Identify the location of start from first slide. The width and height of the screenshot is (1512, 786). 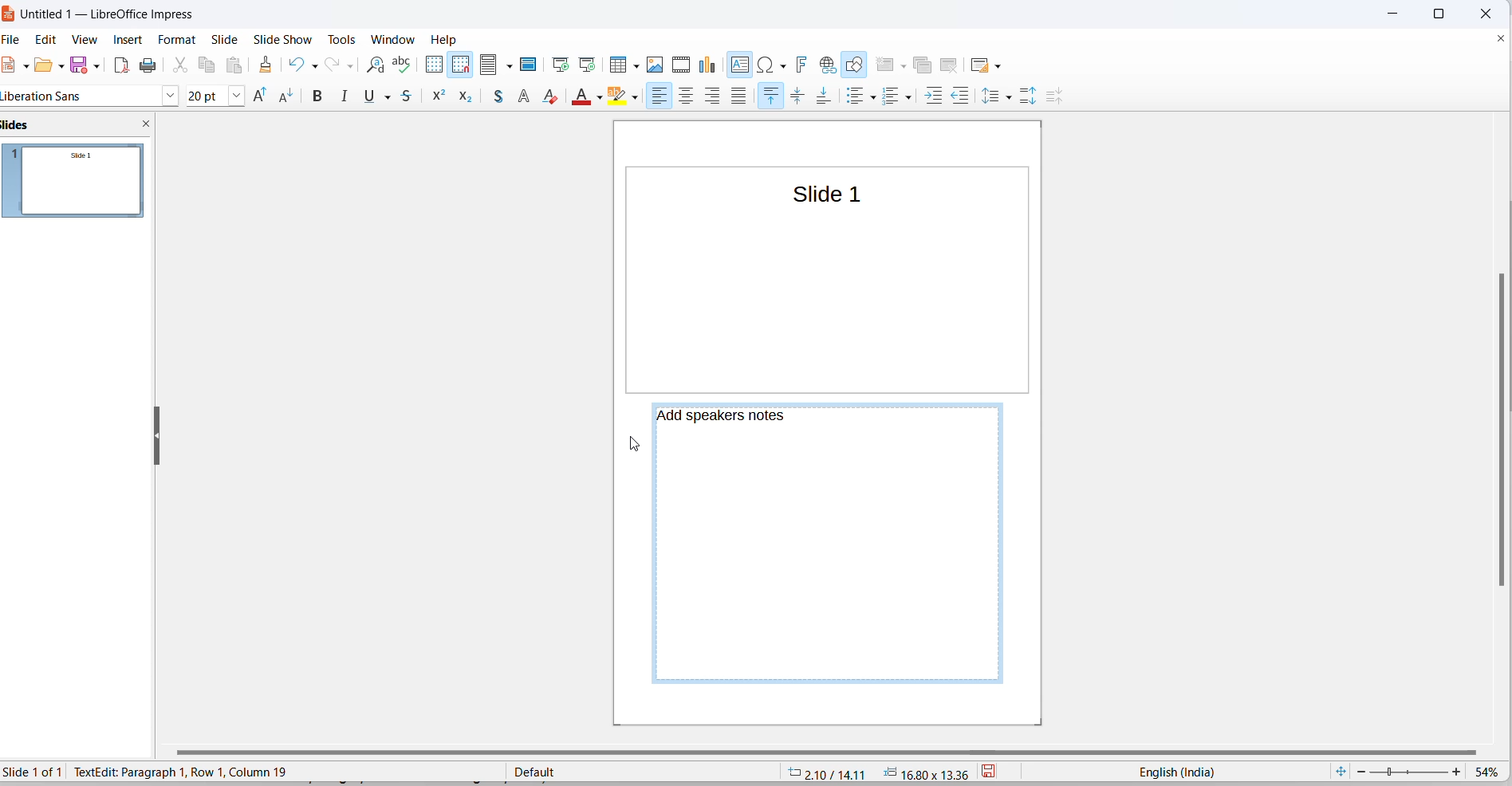
(561, 64).